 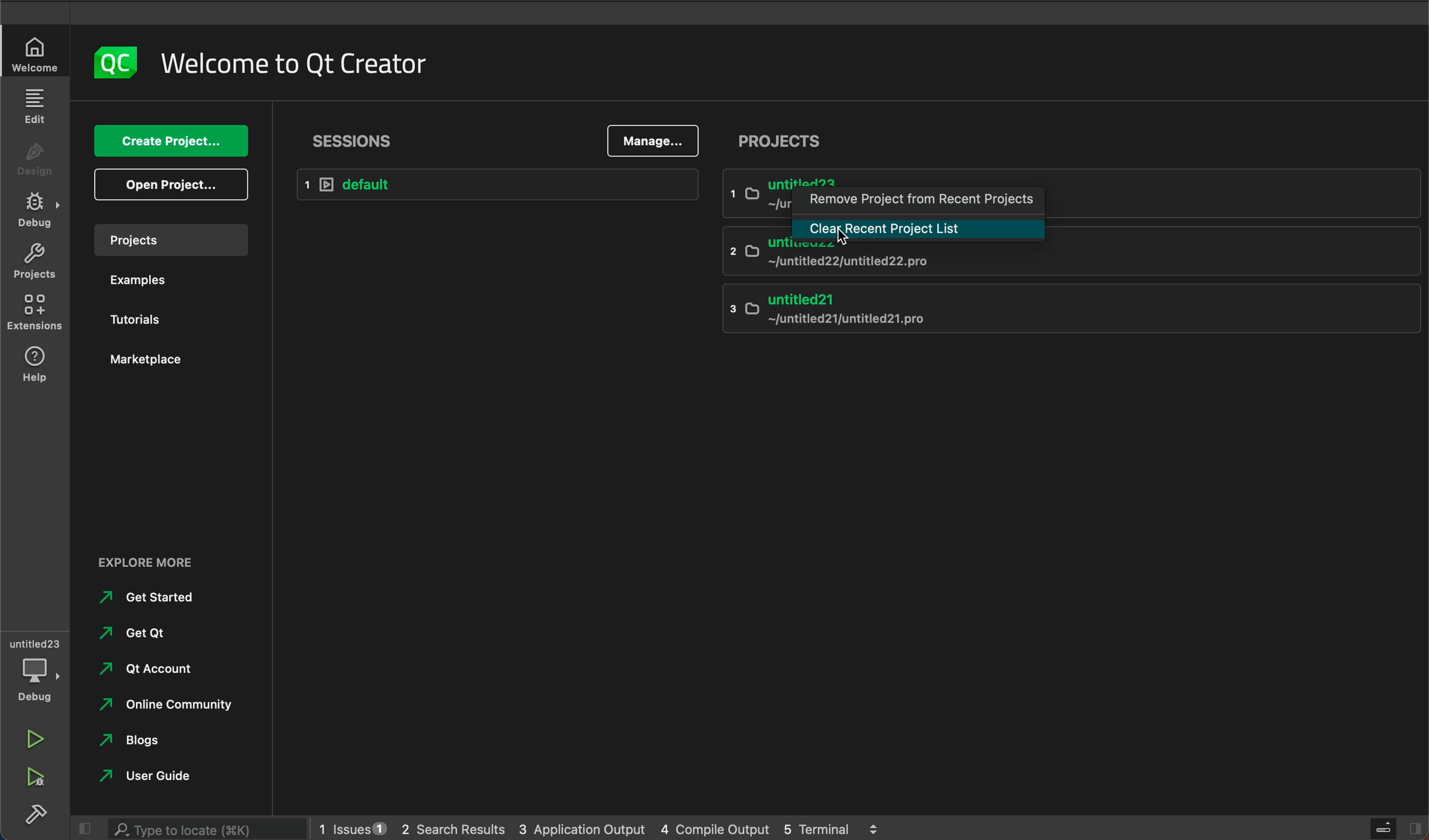 What do you see at coordinates (175, 241) in the screenshot?
I see `projects` at bounding box center [175, 241].